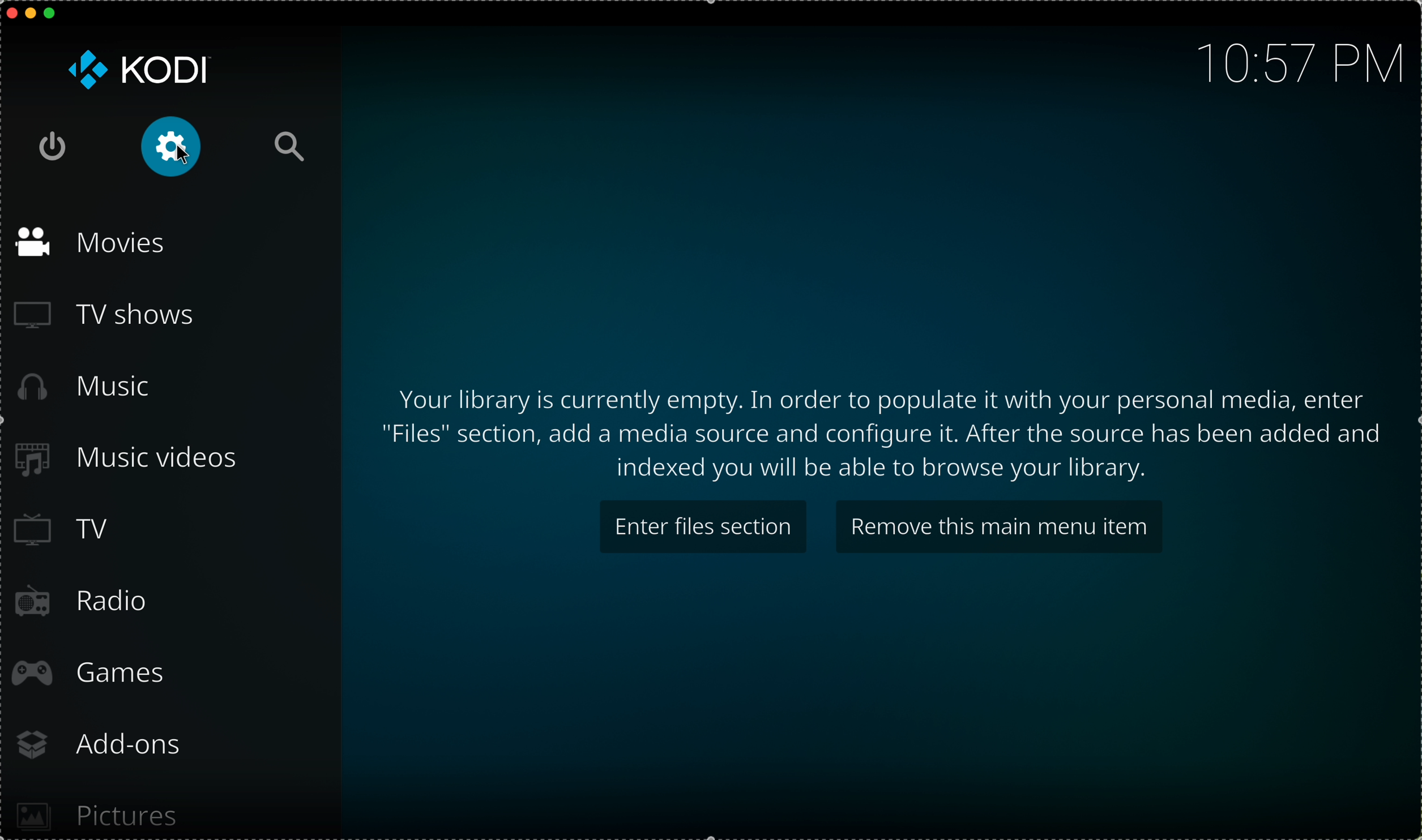 The image size is (1422, 840). What do you see at coordinates (139, 69) in the screenshot?
I see `KODI logo` at bounding box center [139, 69].